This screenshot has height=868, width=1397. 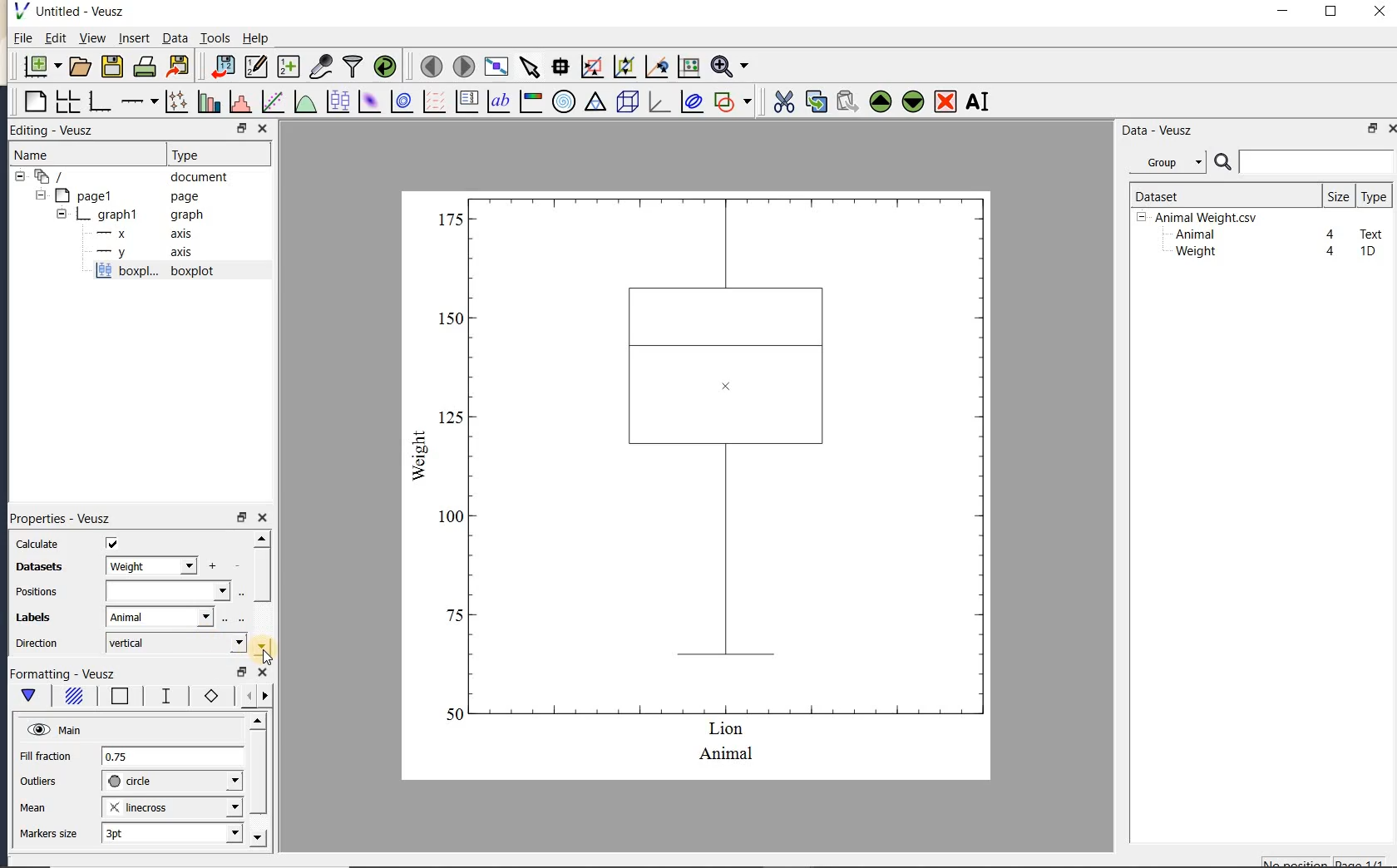 What do you see at coordinates (690, 101) in the screenshot?
I see `plot covariance ellipses` at bounding box center [690, 101].